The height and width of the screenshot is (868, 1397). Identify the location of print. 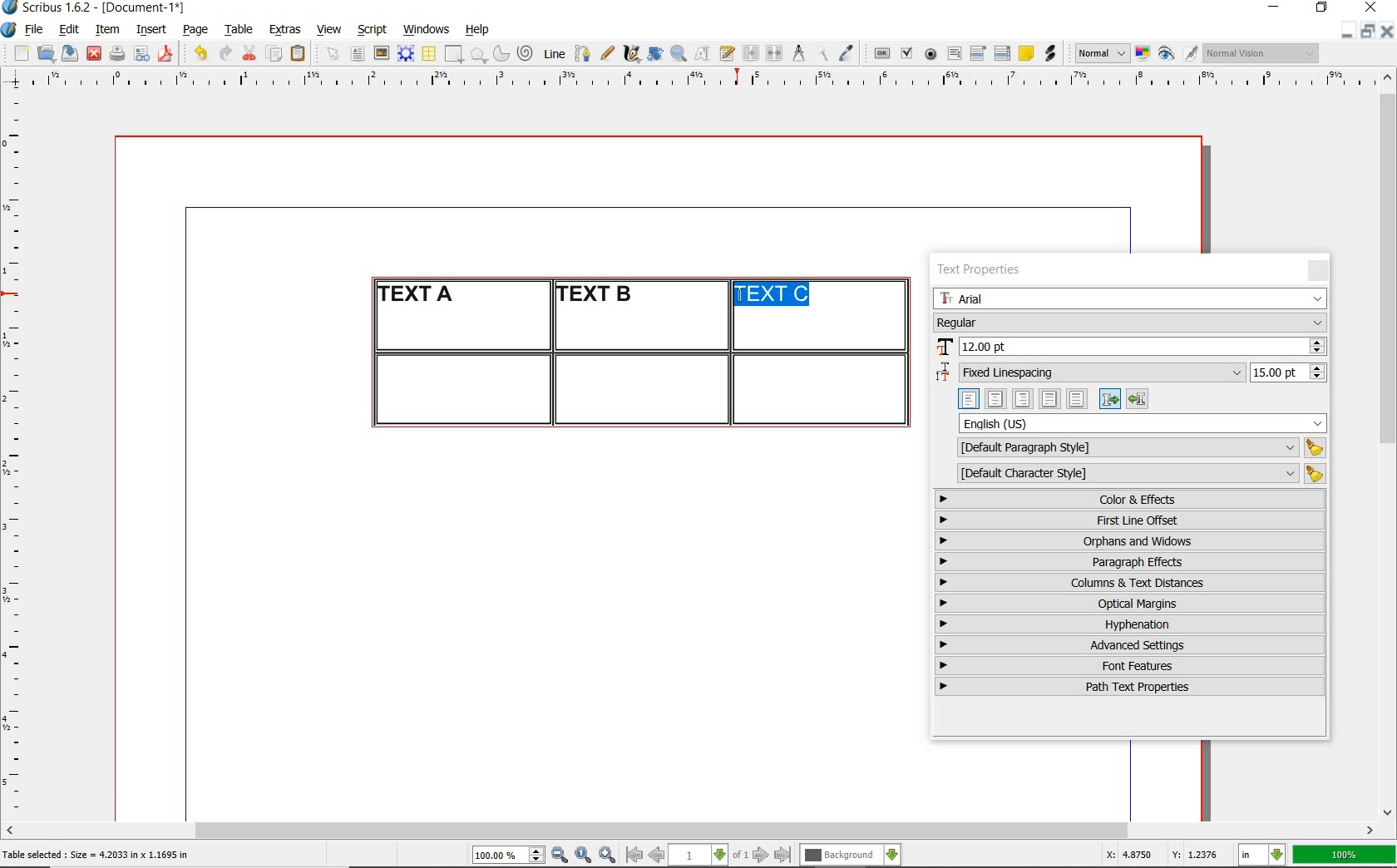
(116, 53).